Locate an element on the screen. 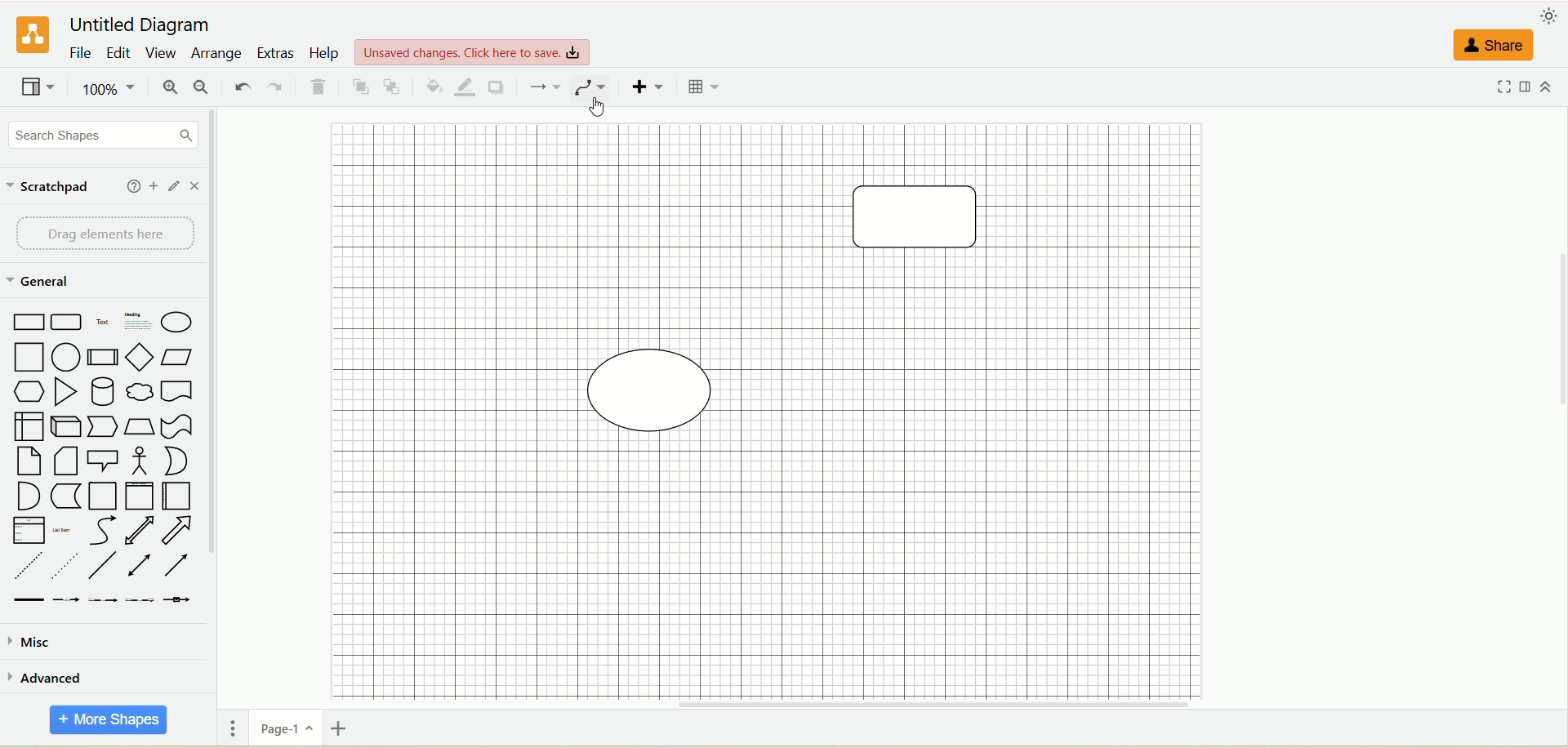 The width and height of the screenshot is (1568, 748). insert is located at coordinates (645, 87).